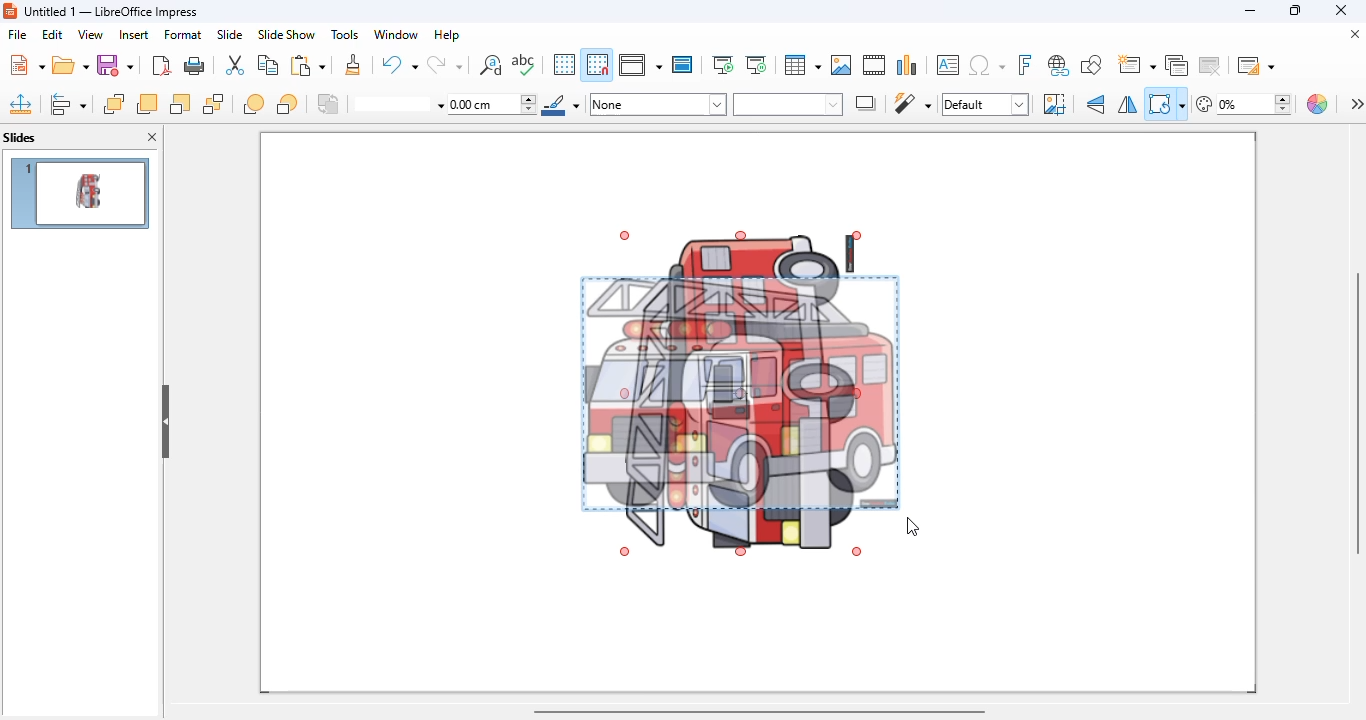 This screenshot has width=1366, height=720. What do you see at coordinates (788, 104) in the screenshot?
I see `area style / filling` at bounding box center [788, 104].